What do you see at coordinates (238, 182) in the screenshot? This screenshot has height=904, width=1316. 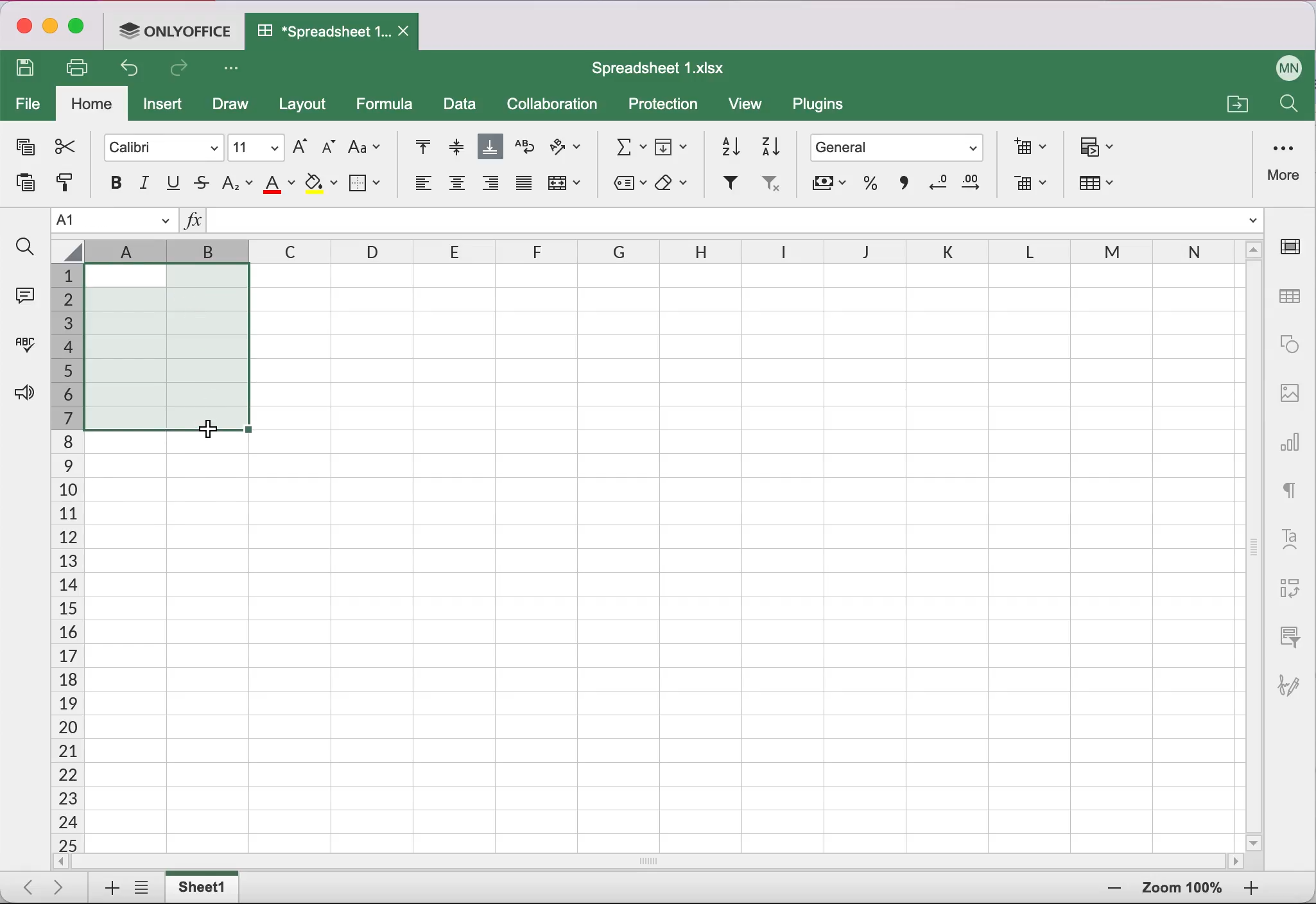 I see `subscript/superscript` at bounding box center [238, 182].